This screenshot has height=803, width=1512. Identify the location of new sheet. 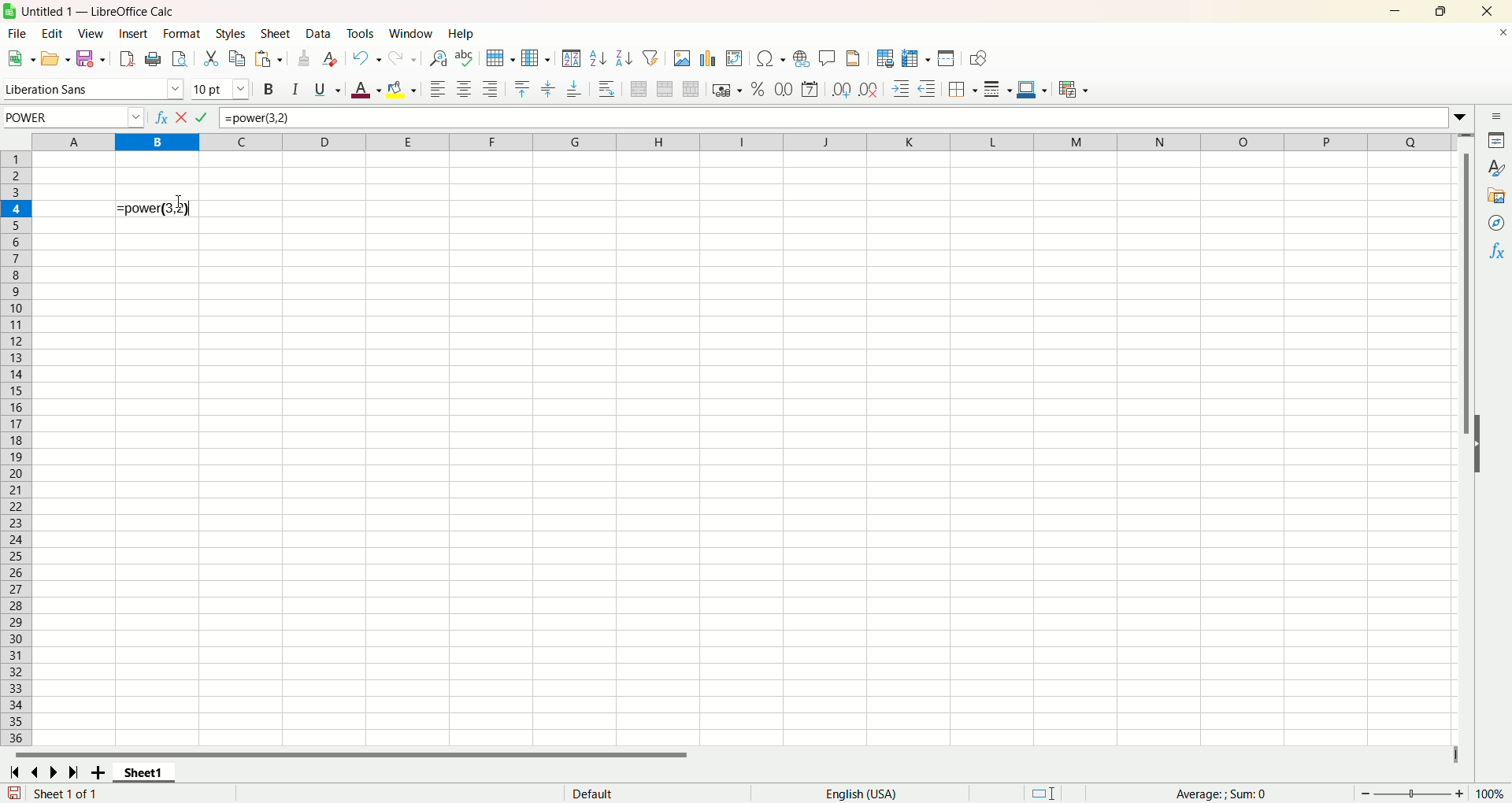
(101, 772).